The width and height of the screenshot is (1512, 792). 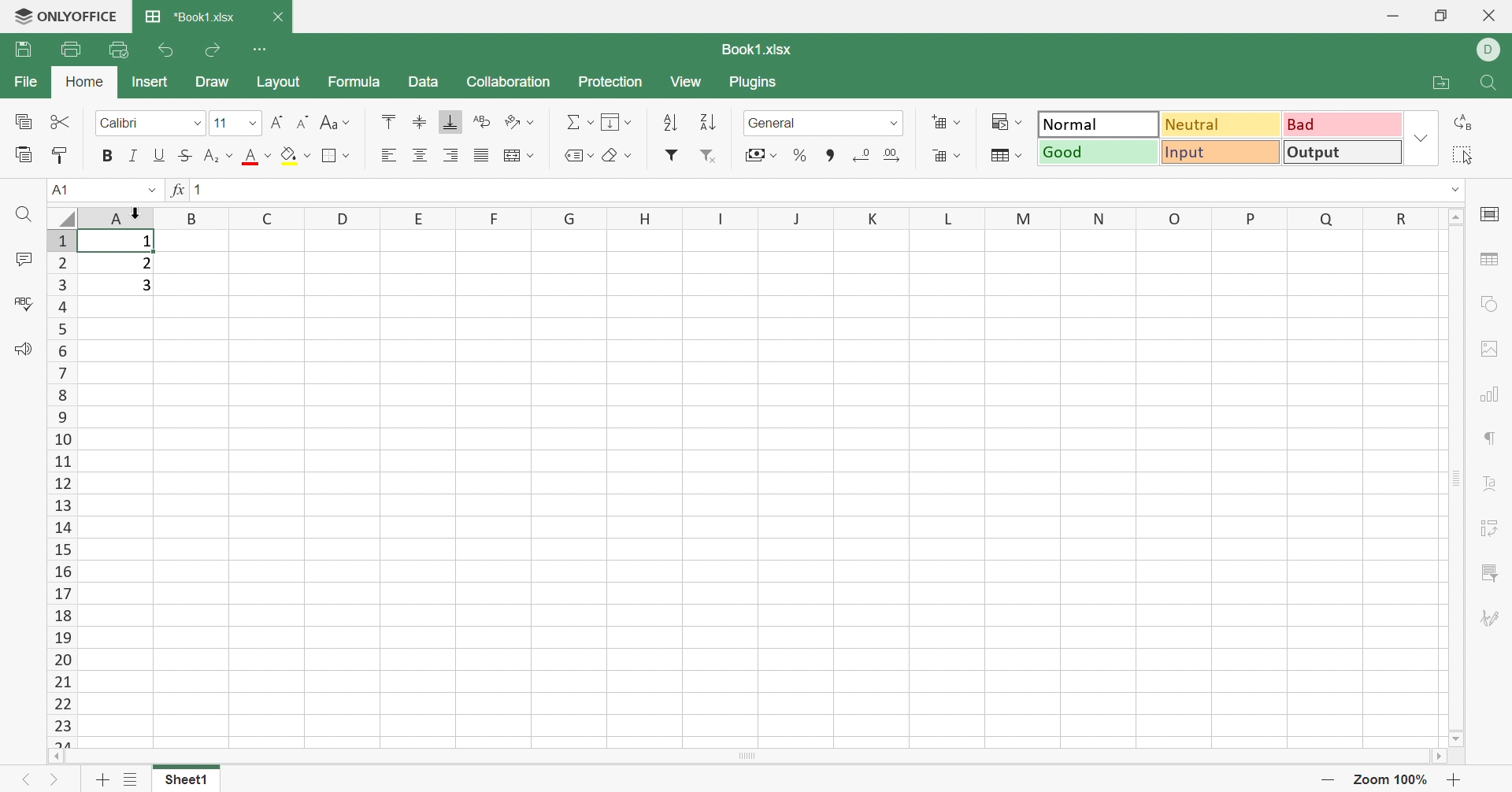 What do you see at coordinates (861, 154) in the screenshot?
I see `Decrease decimal` at bounding box center [861, 154].